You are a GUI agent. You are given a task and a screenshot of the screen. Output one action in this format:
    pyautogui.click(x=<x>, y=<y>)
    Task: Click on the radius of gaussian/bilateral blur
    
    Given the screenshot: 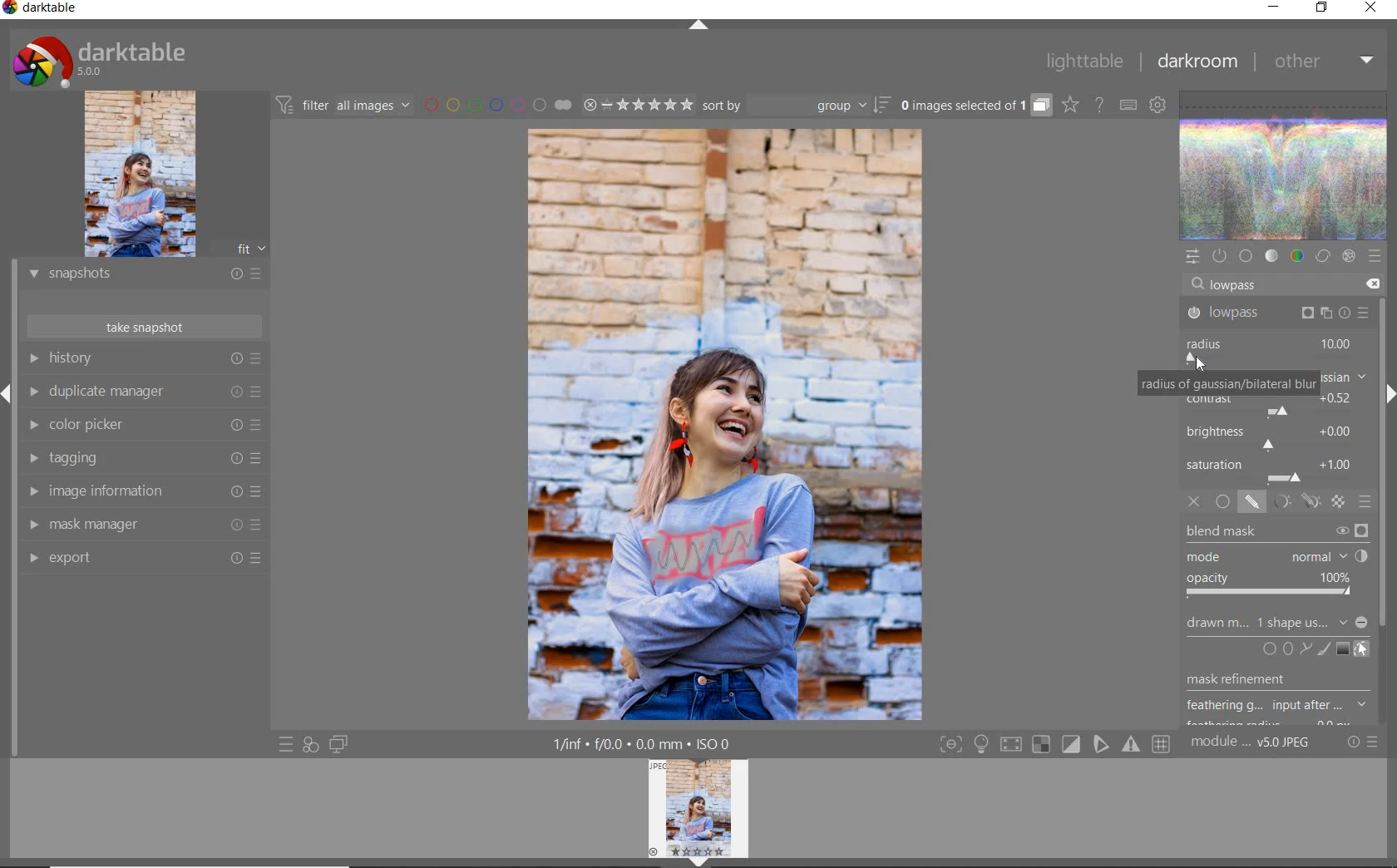 What is the action you would take?
    pyautogui.click(x=1232, y=383)
    